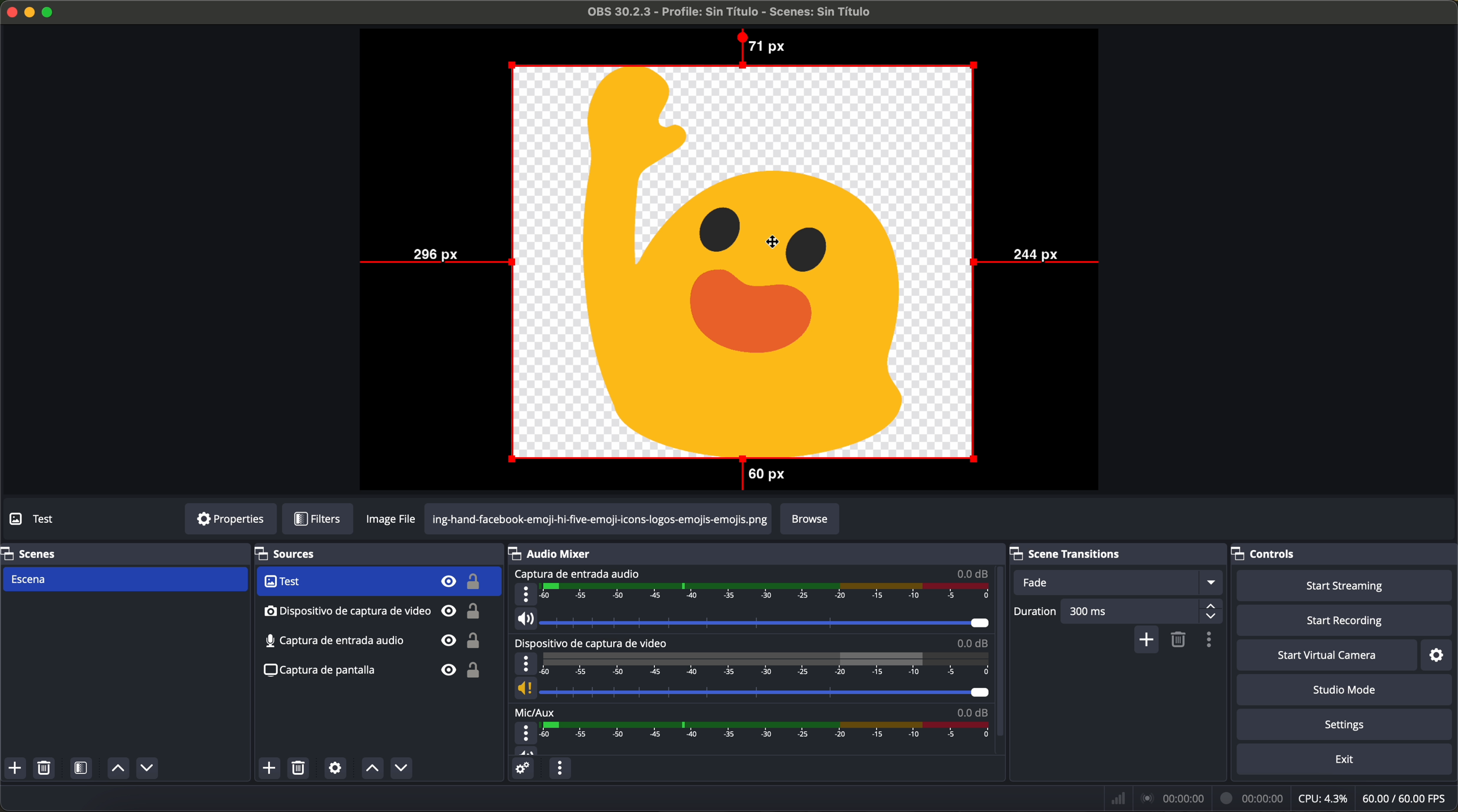  What do you see at coordinates (526, 594) in the screenshot?
I see `more options` at bounding box center [526, 594].